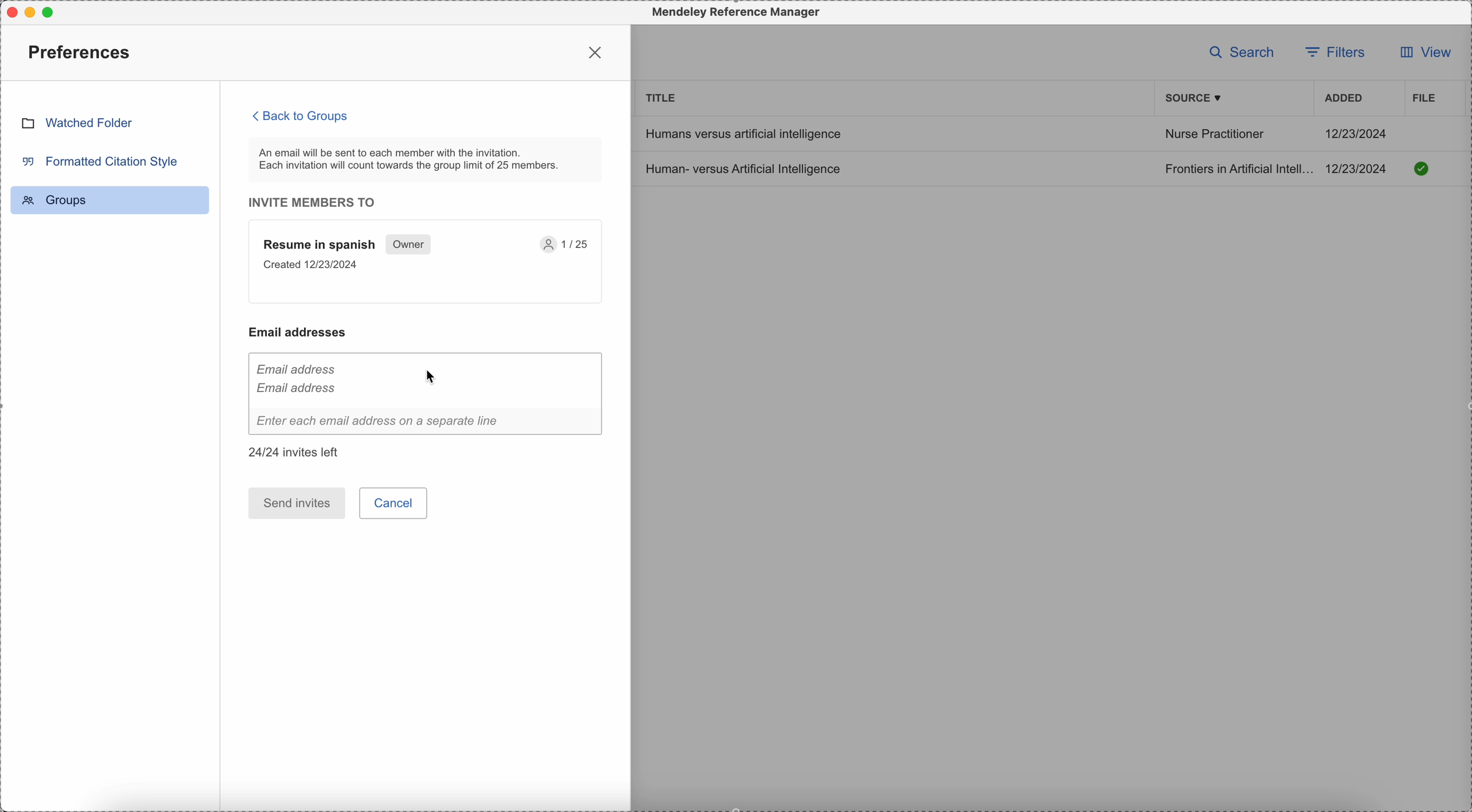  Describe the element at coordinates (1214, 136) in the screenshot. I see `Nurse Practitioner` at that location.